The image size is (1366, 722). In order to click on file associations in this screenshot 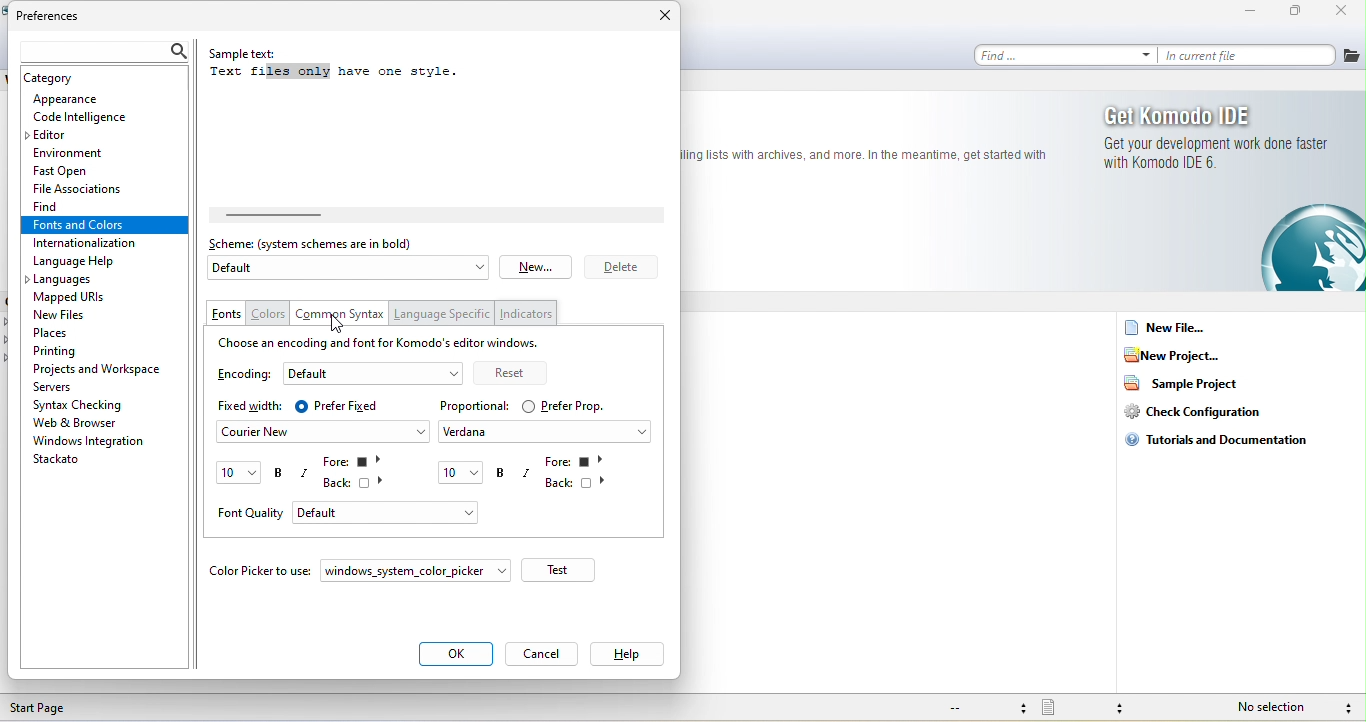, I will do `click(80, 190)`.